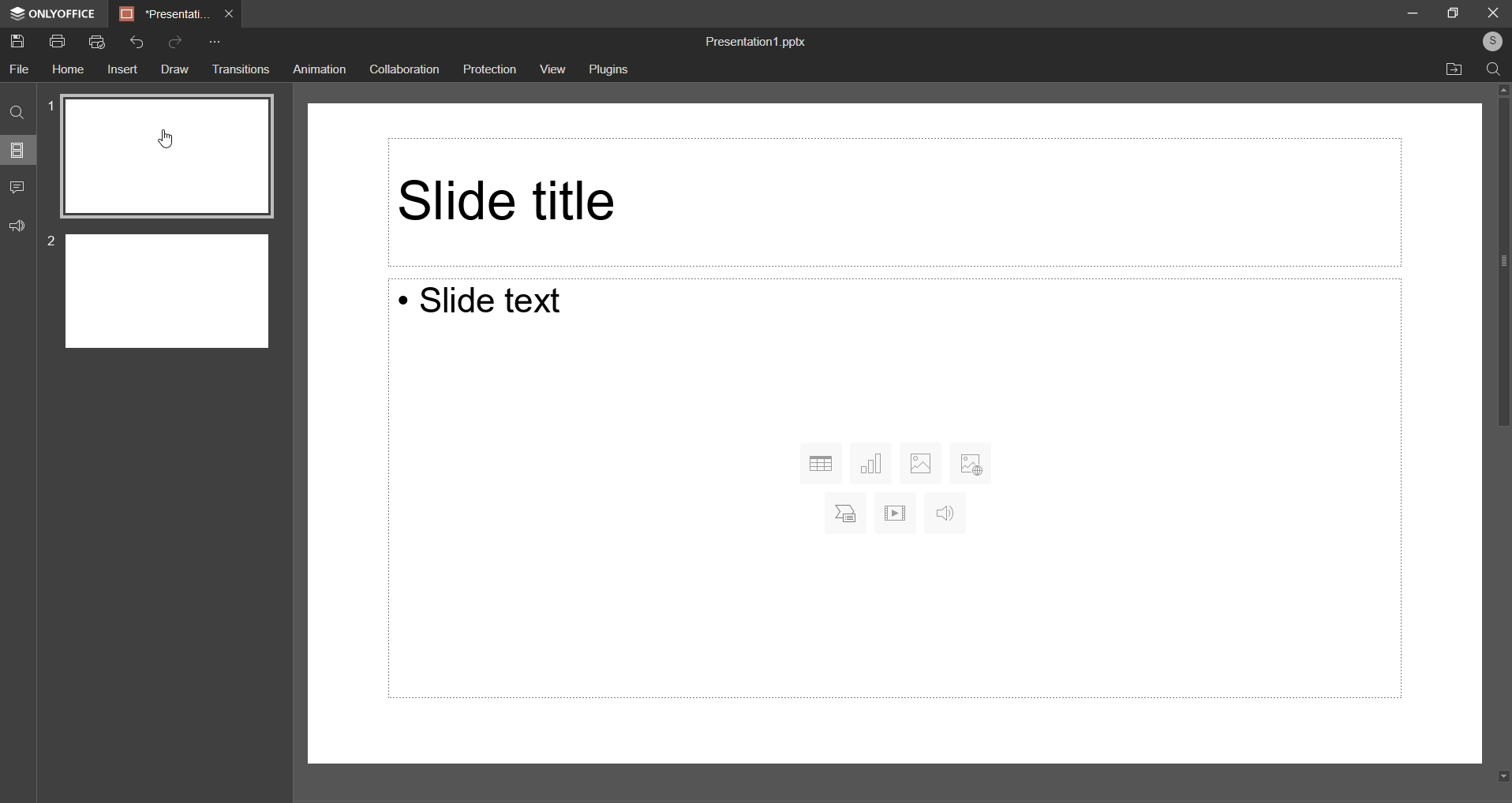  Describe the element at coordinates (320, 69) in the screenshot. I see `Animation` at that location.